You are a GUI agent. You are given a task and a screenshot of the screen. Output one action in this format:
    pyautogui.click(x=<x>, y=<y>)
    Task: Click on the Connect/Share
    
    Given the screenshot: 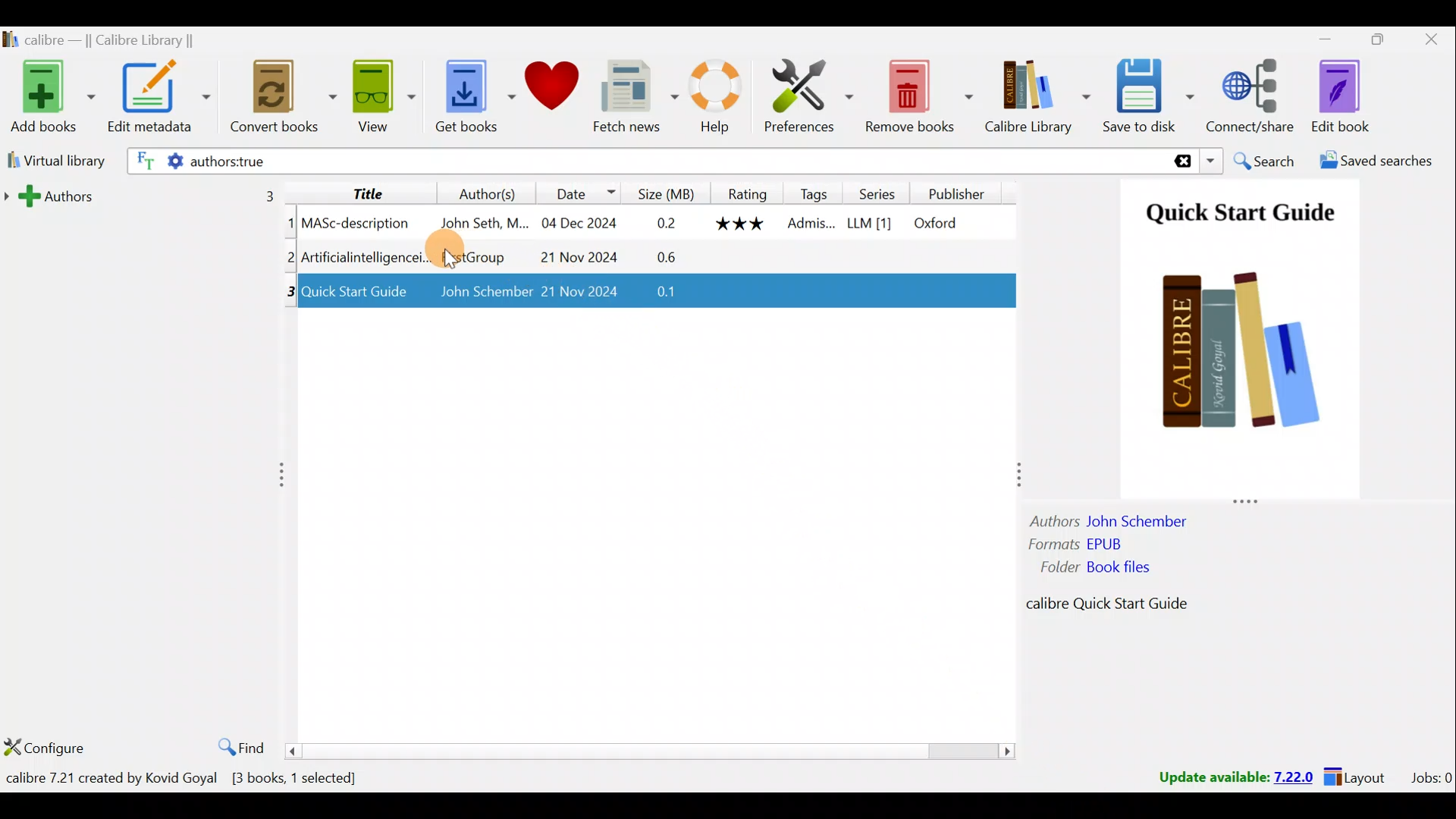 What is the action you would take?
    pyautogui.click(x=1253, y=102)
    